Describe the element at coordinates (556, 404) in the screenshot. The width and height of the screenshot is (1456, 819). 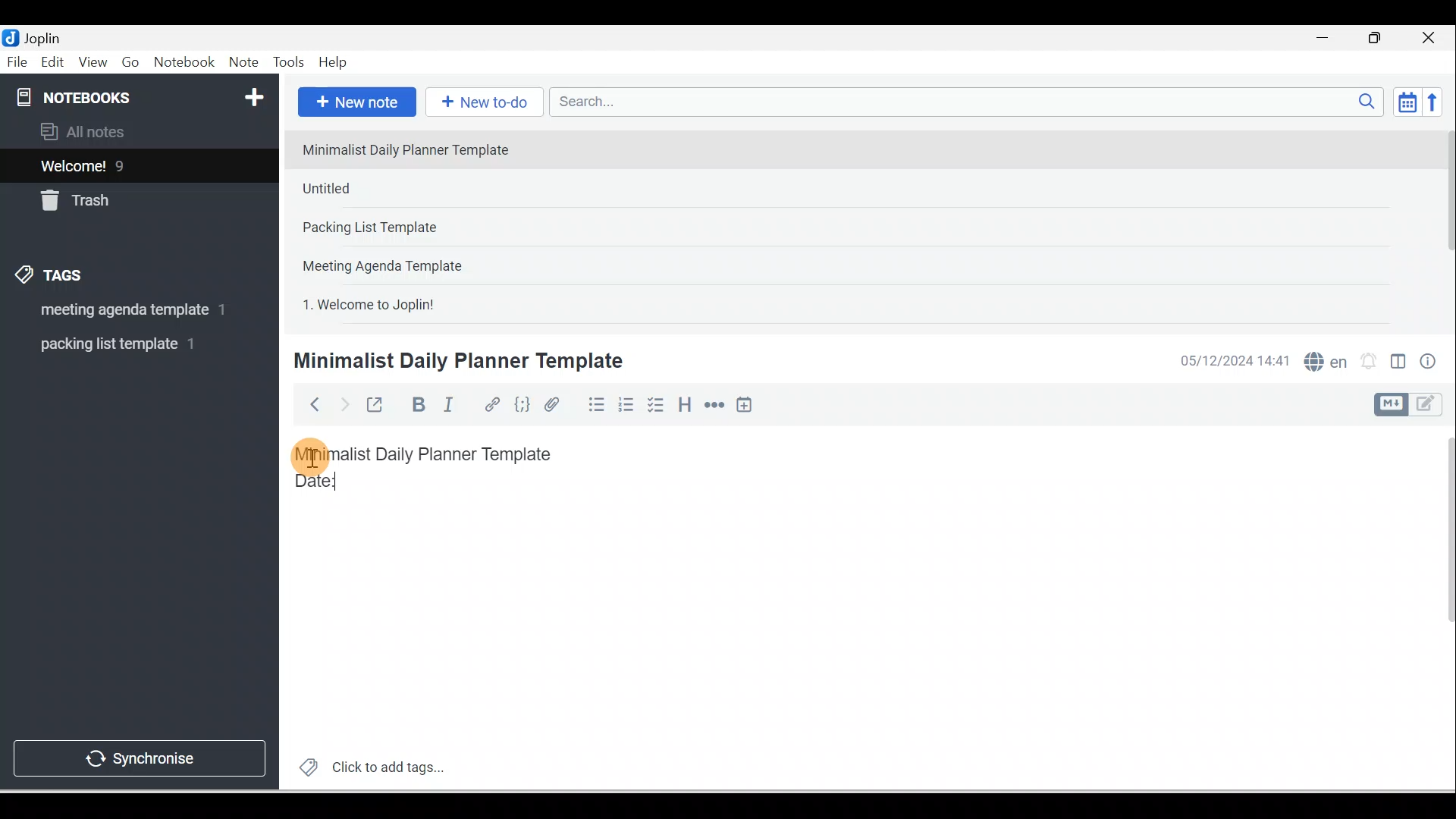
I see `Attach file` at that location.